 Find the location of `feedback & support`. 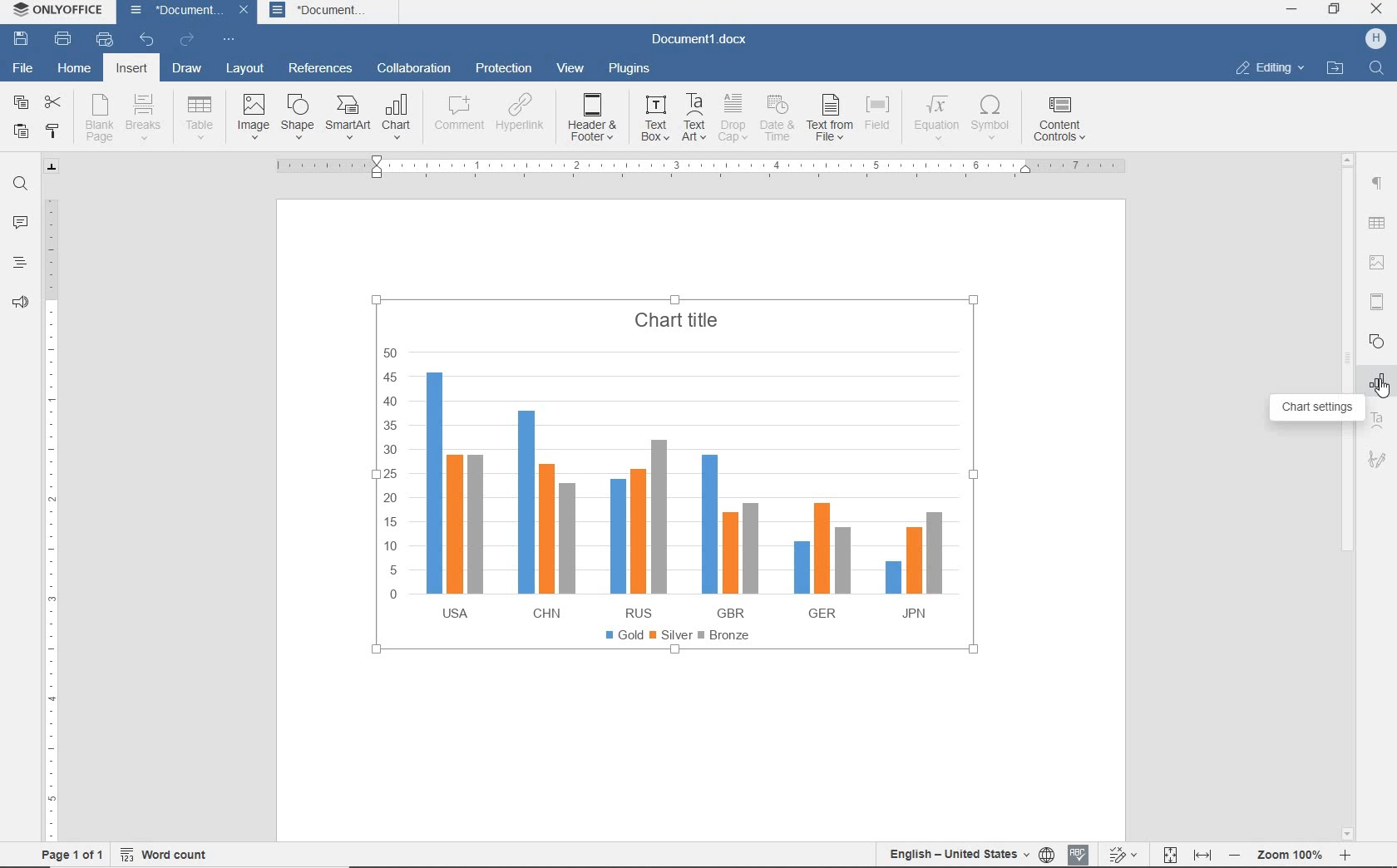

feedback & support is located at coordinates (18, 306).